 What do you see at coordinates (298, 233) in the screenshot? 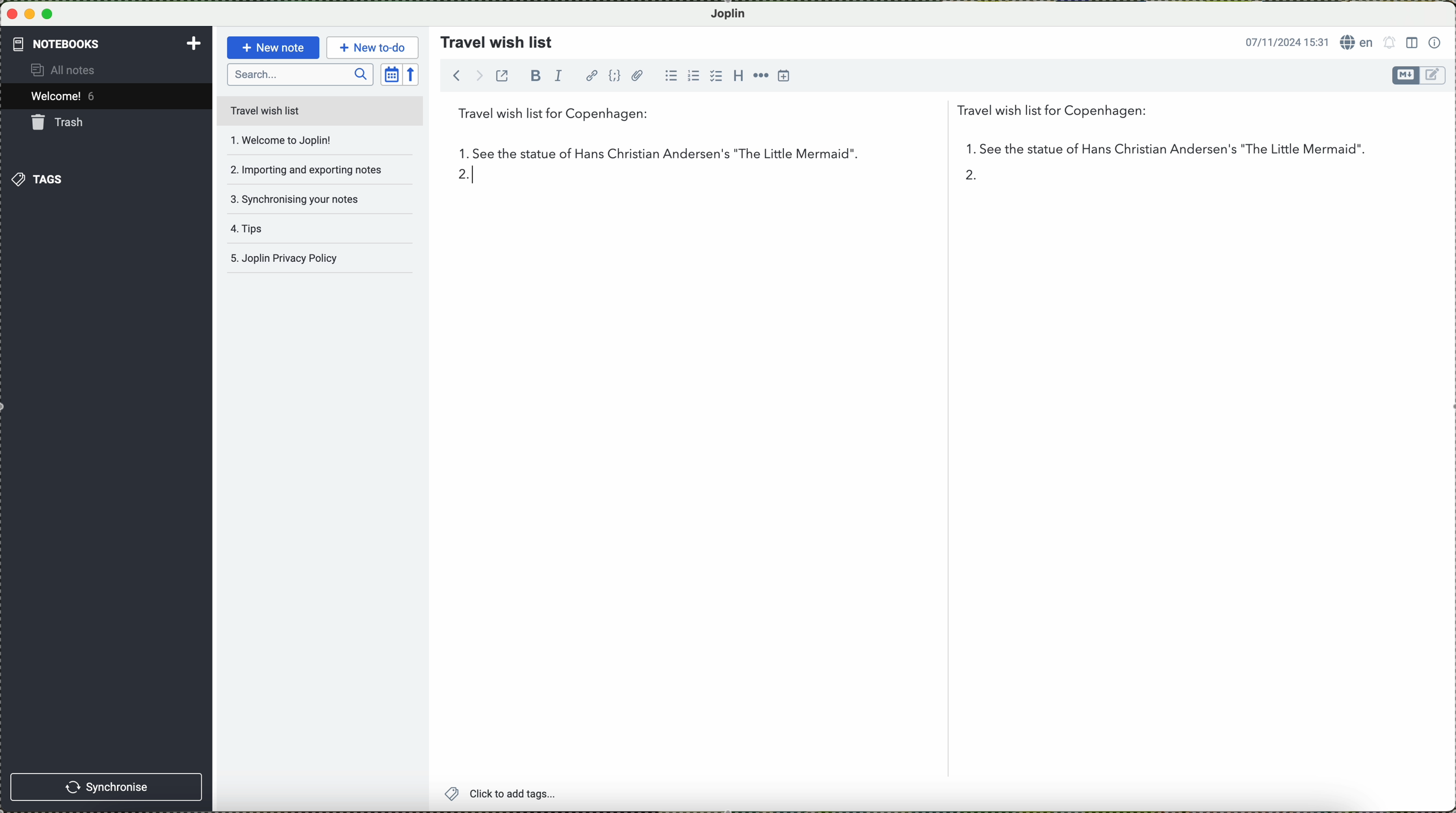
I see `tips` at bounding box center [298, 233].